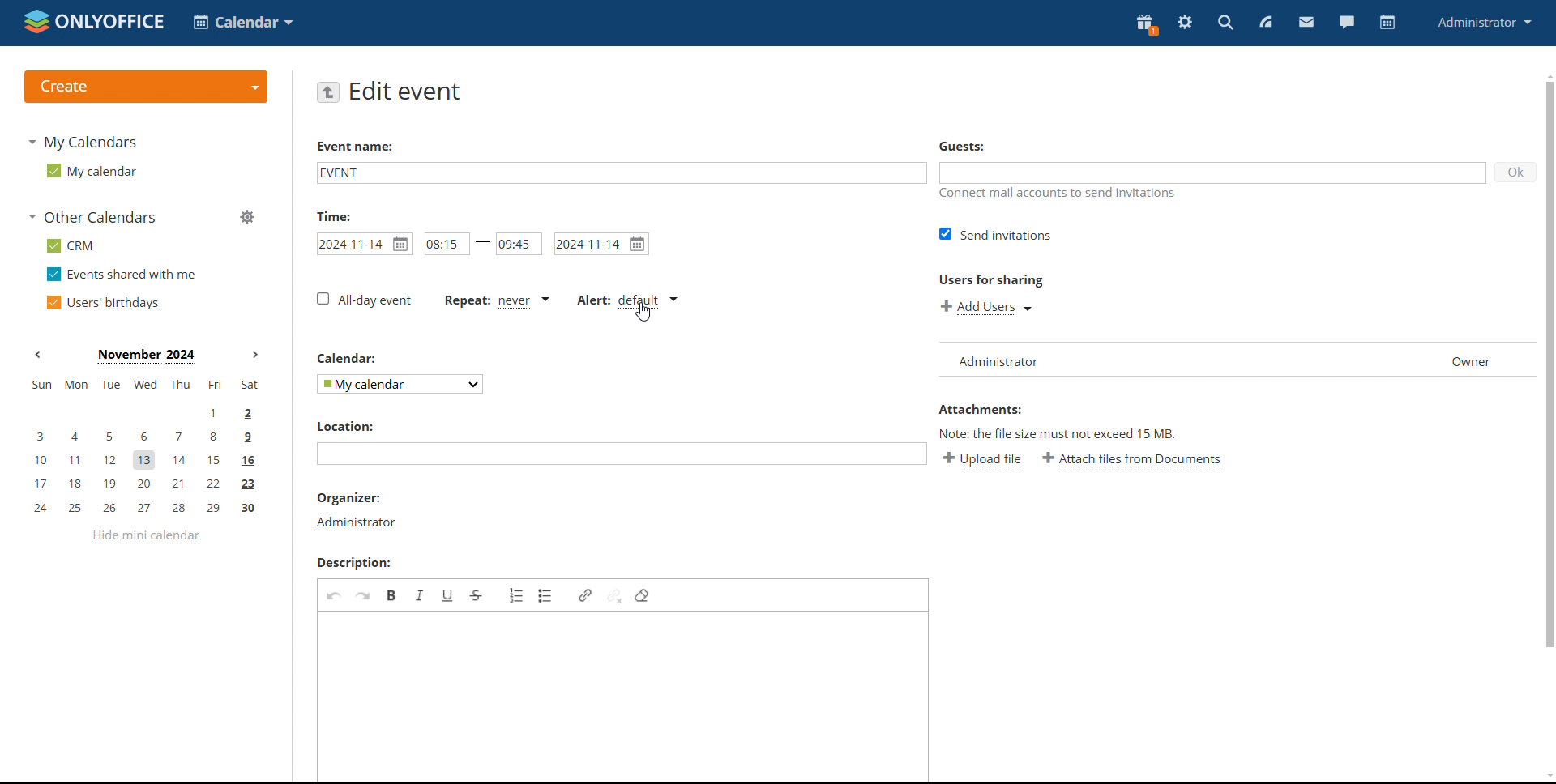 The height and width of the screenshot is (784, 1556). Describe the element at coordinates (421, 595) in the screenshot. I see `italic` at that location.